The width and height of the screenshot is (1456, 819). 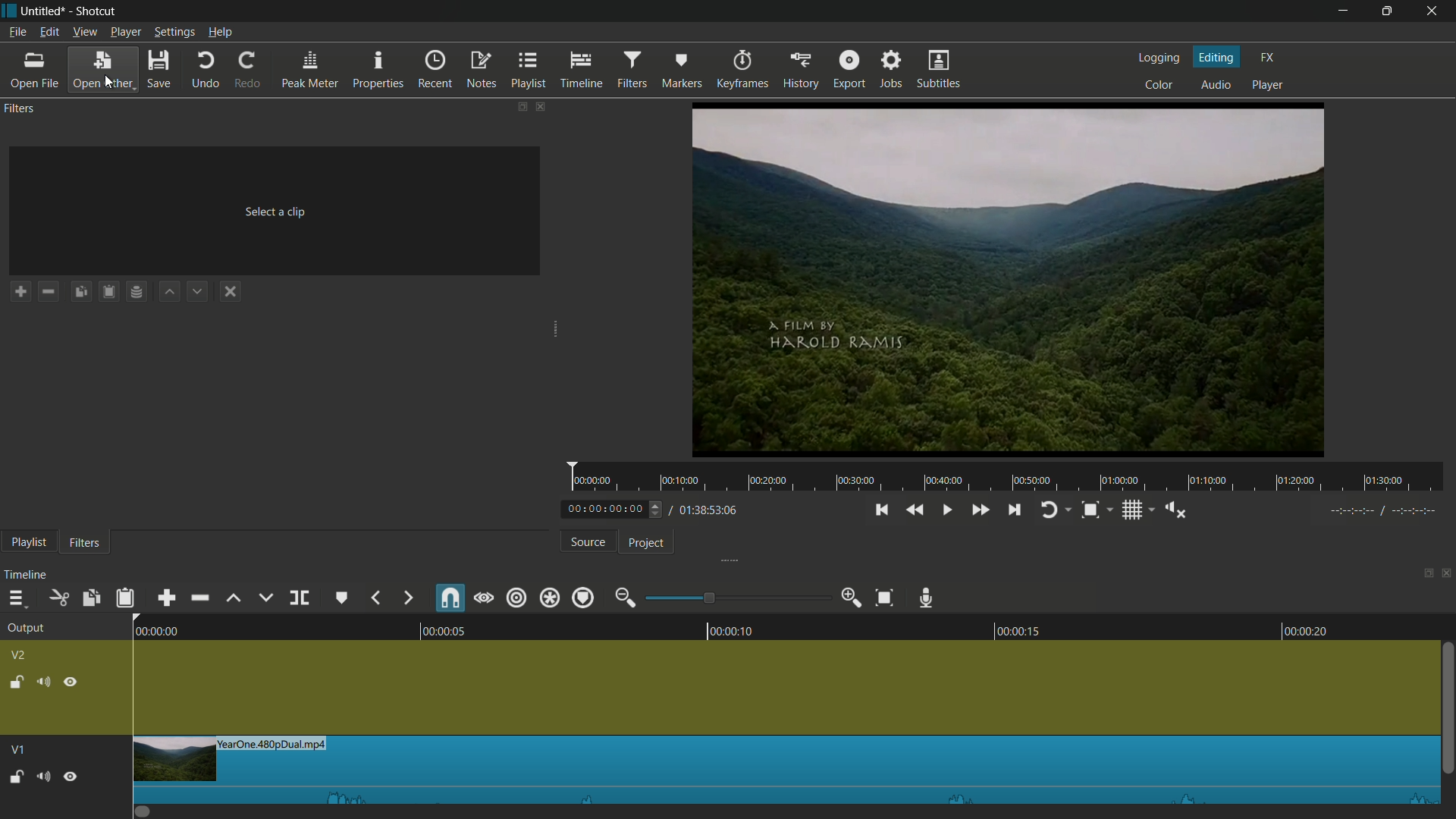 I want to click on 00:00:20, so click(x=1313, y=630).